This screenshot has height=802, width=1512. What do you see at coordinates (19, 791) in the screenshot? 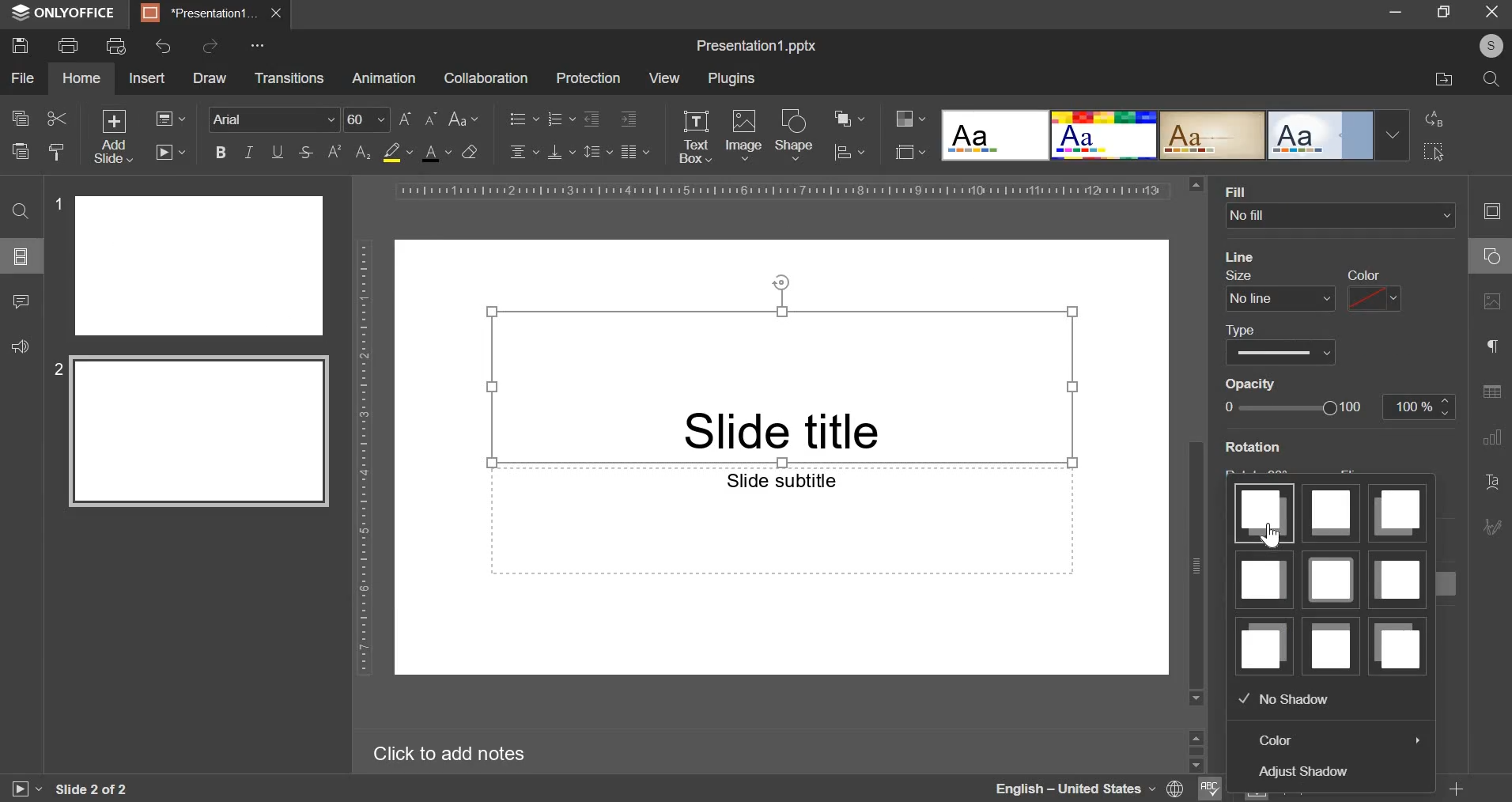
I see `start slide show` at bounding box center [19, 791].